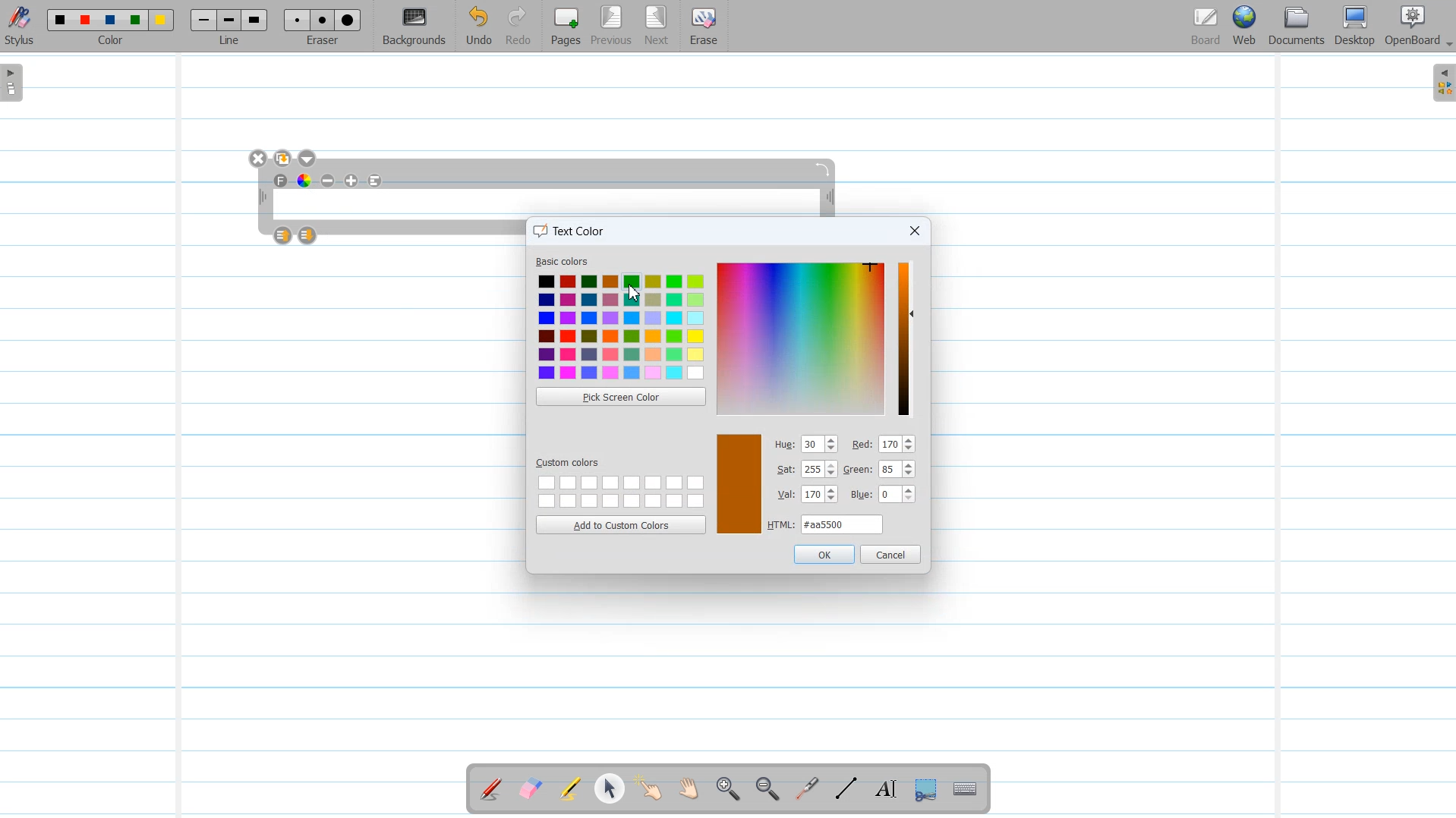  What do you see at coordinates (564, 263) in the screenshot?
I see `basic colors` at bounding box center [564, 263].